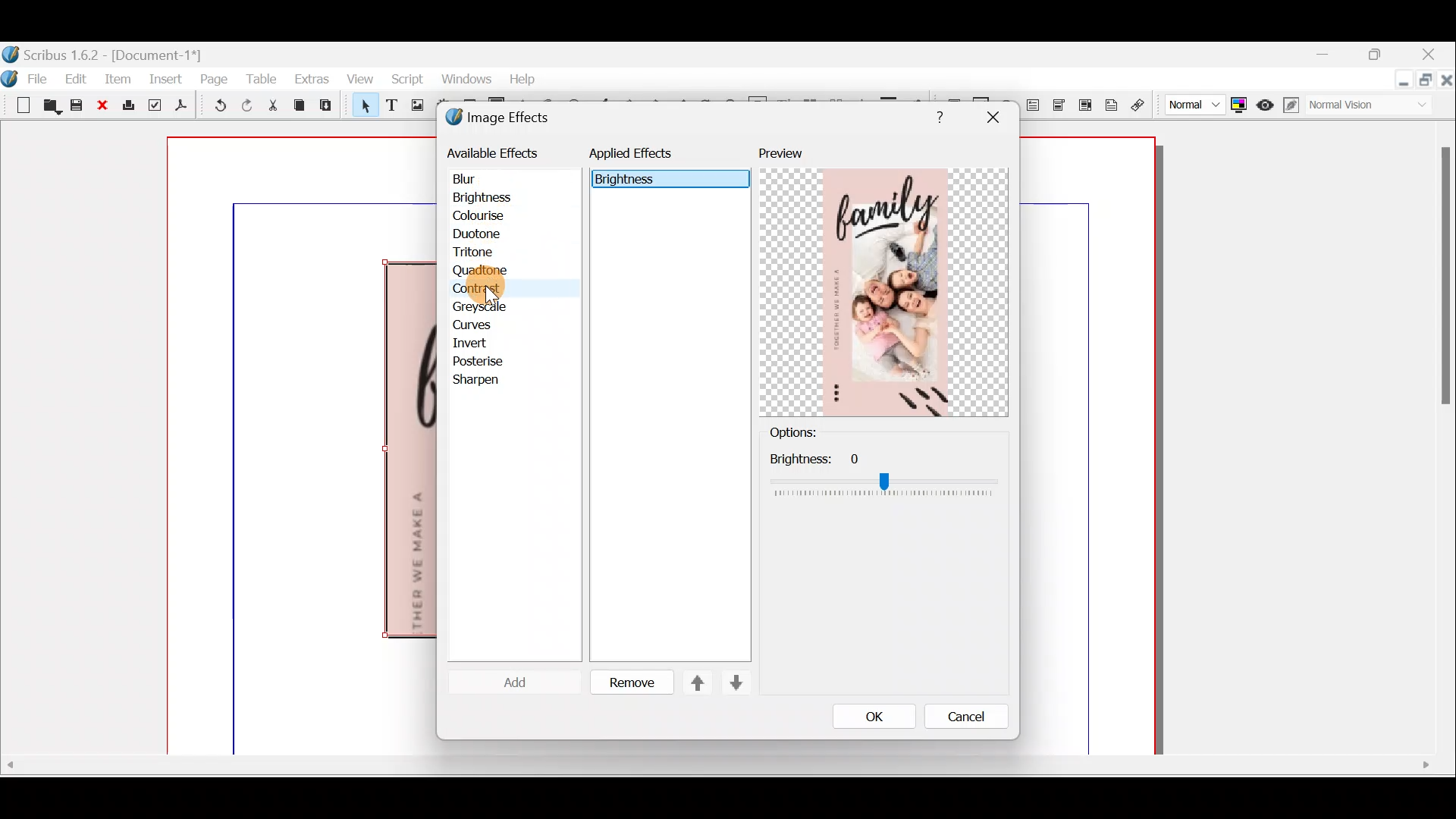  I want to click on , so click(992, 118).